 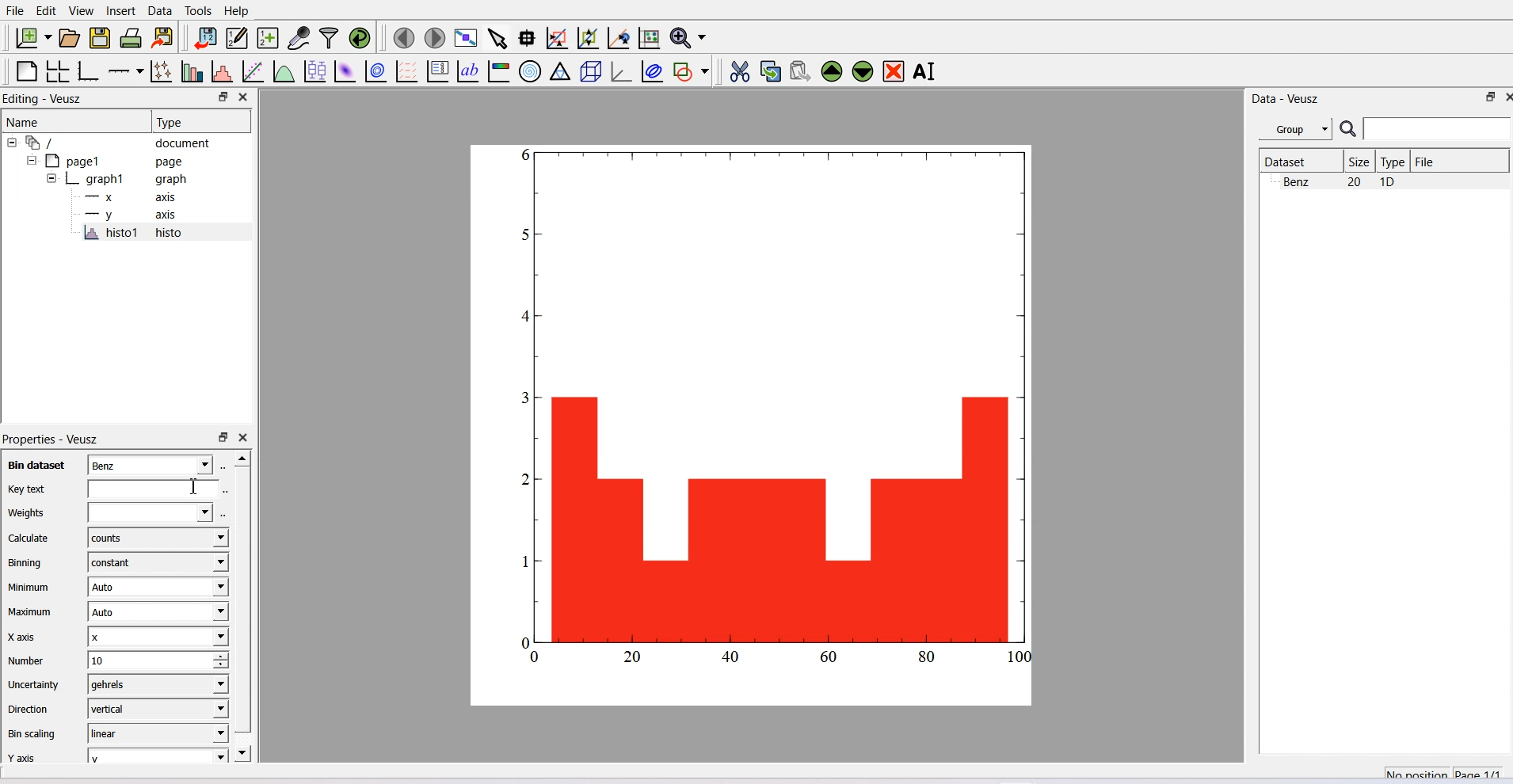 What do you see at coordinates (437, 71) in the screenshot?
I see `Plot key` at bounding box center [437, 71].